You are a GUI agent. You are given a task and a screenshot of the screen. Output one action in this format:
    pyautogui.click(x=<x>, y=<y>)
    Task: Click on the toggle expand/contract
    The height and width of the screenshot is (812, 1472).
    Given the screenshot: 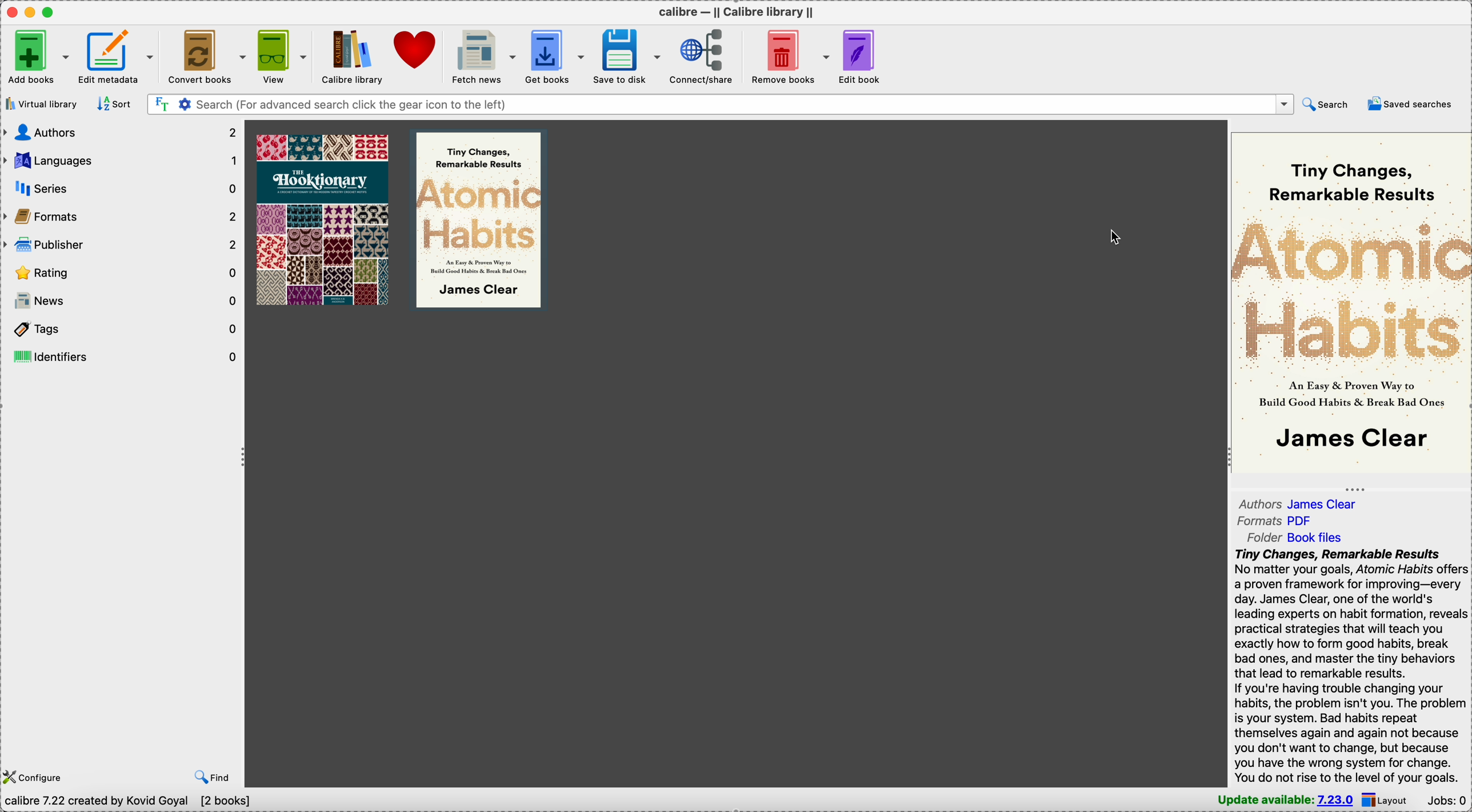 What is the action you would take?
    pyautogui.click(x=1355, y=490)
    